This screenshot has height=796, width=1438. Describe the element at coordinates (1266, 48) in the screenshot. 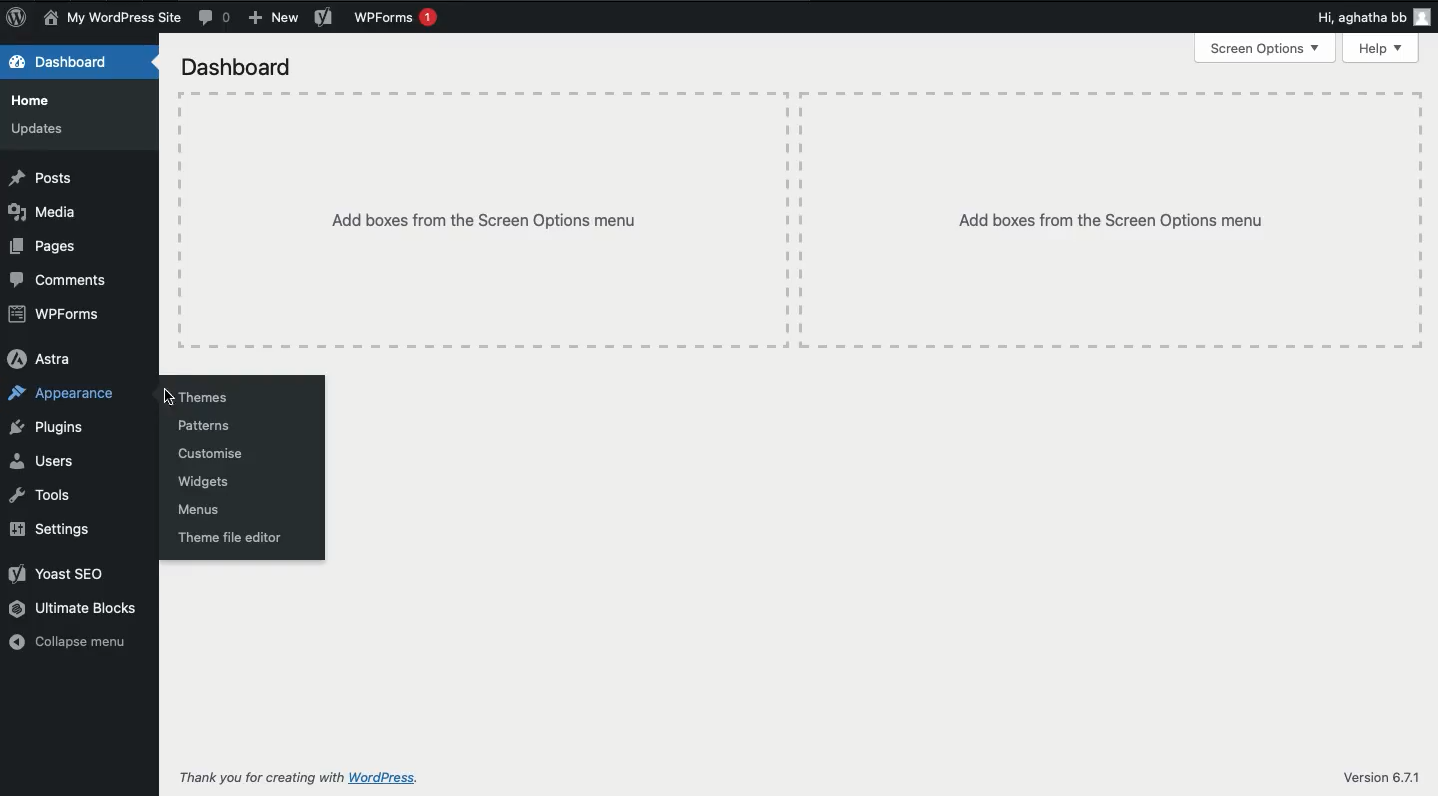

I see `Screen options` at that location.